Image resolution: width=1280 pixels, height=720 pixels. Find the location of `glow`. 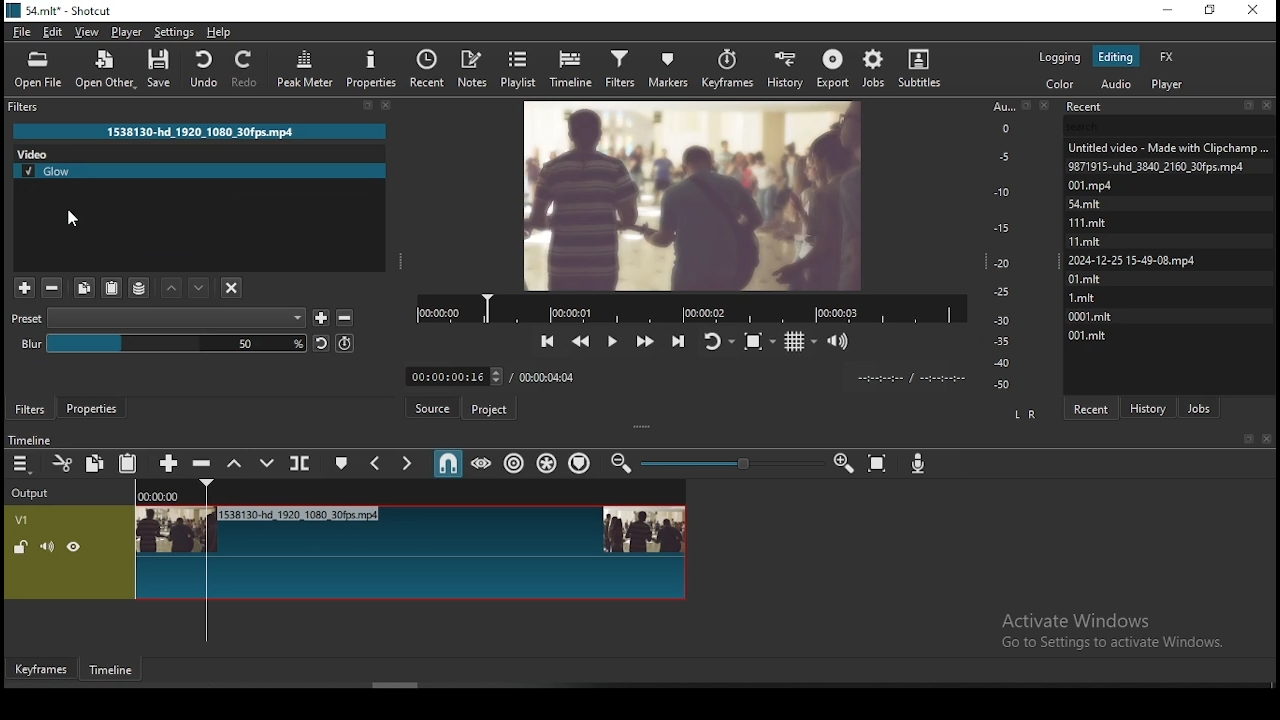

glow is located at coordinates (202, 170).